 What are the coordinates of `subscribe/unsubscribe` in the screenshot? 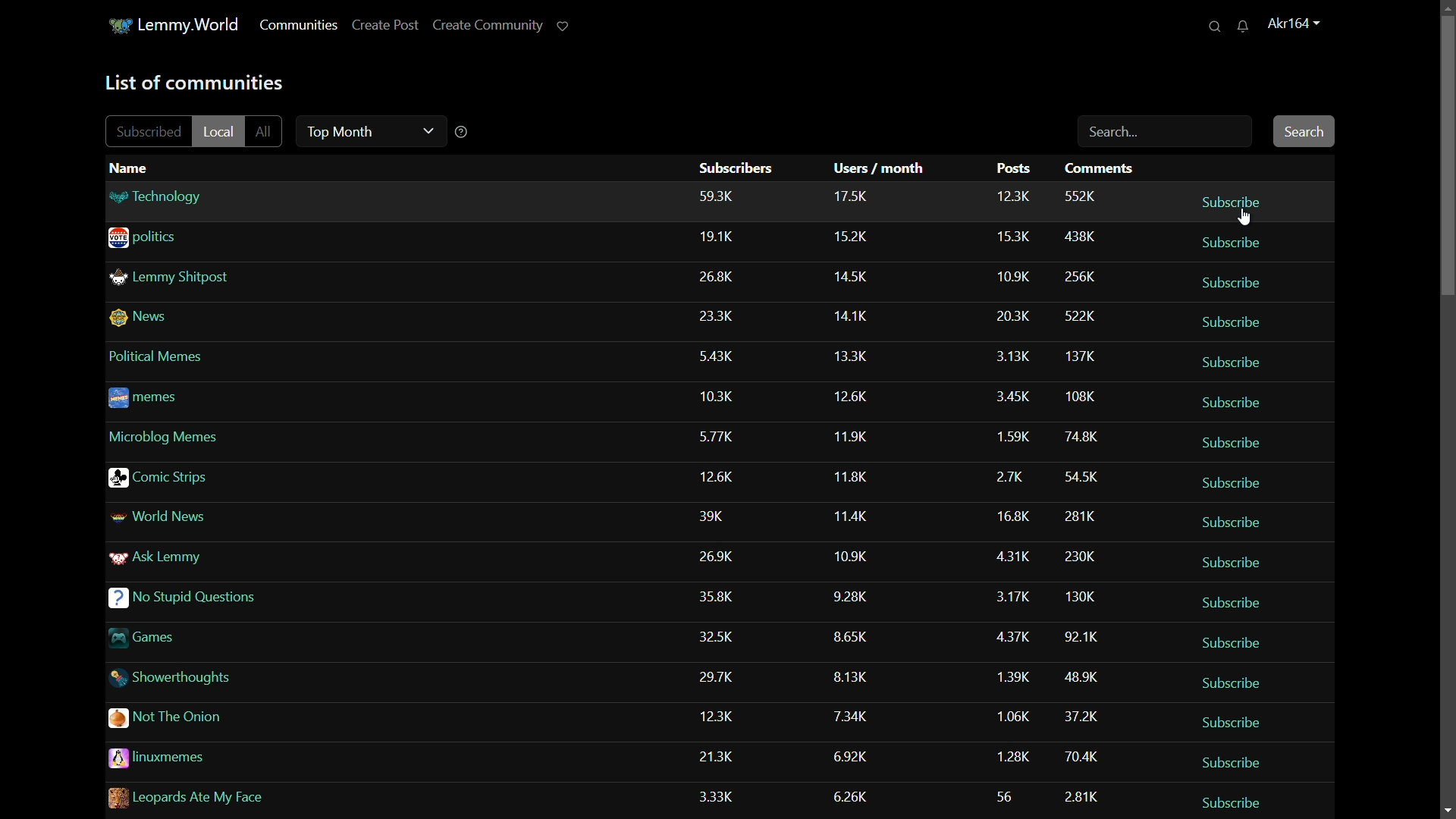 It's located at (1226, 319).